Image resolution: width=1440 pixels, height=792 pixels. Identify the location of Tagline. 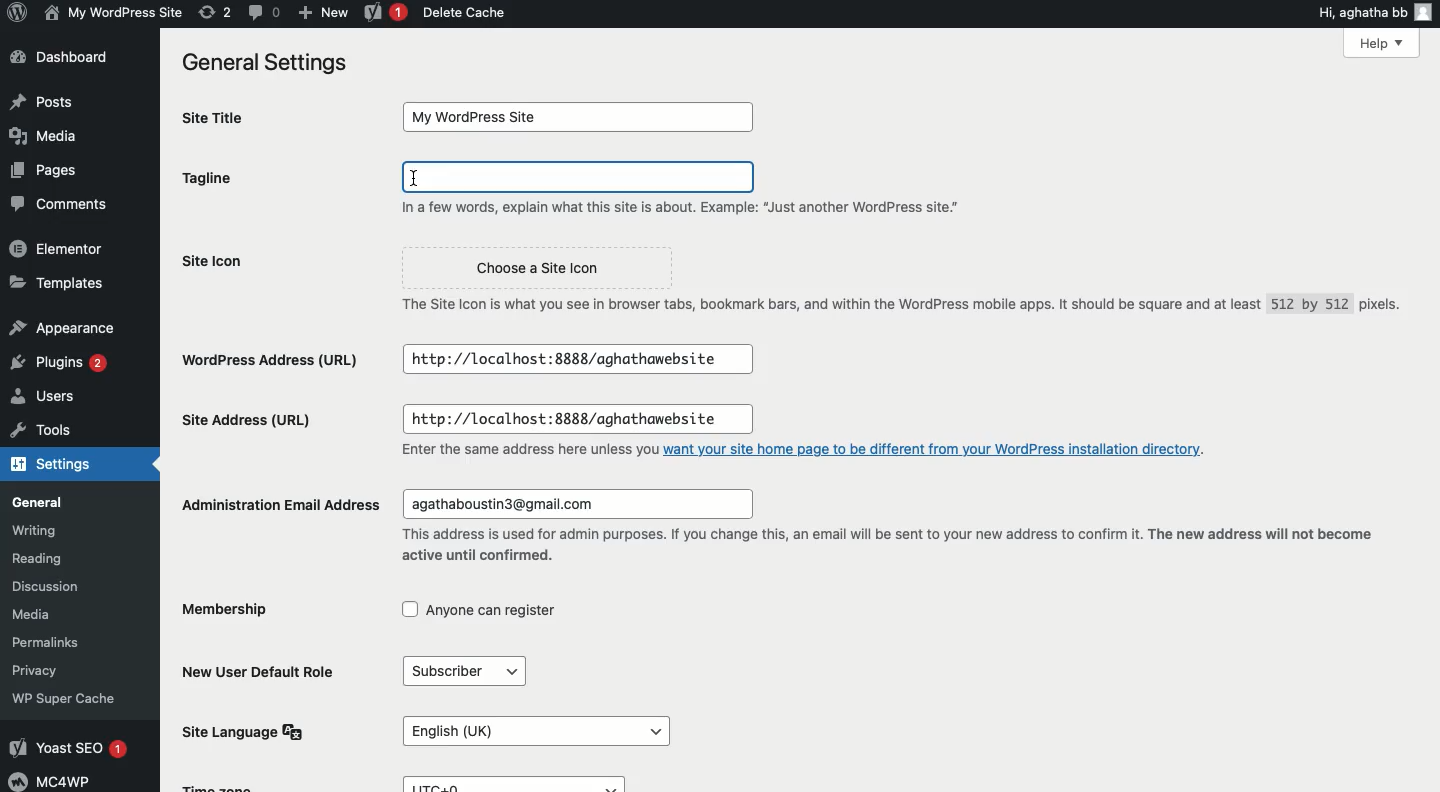
(260, 182).